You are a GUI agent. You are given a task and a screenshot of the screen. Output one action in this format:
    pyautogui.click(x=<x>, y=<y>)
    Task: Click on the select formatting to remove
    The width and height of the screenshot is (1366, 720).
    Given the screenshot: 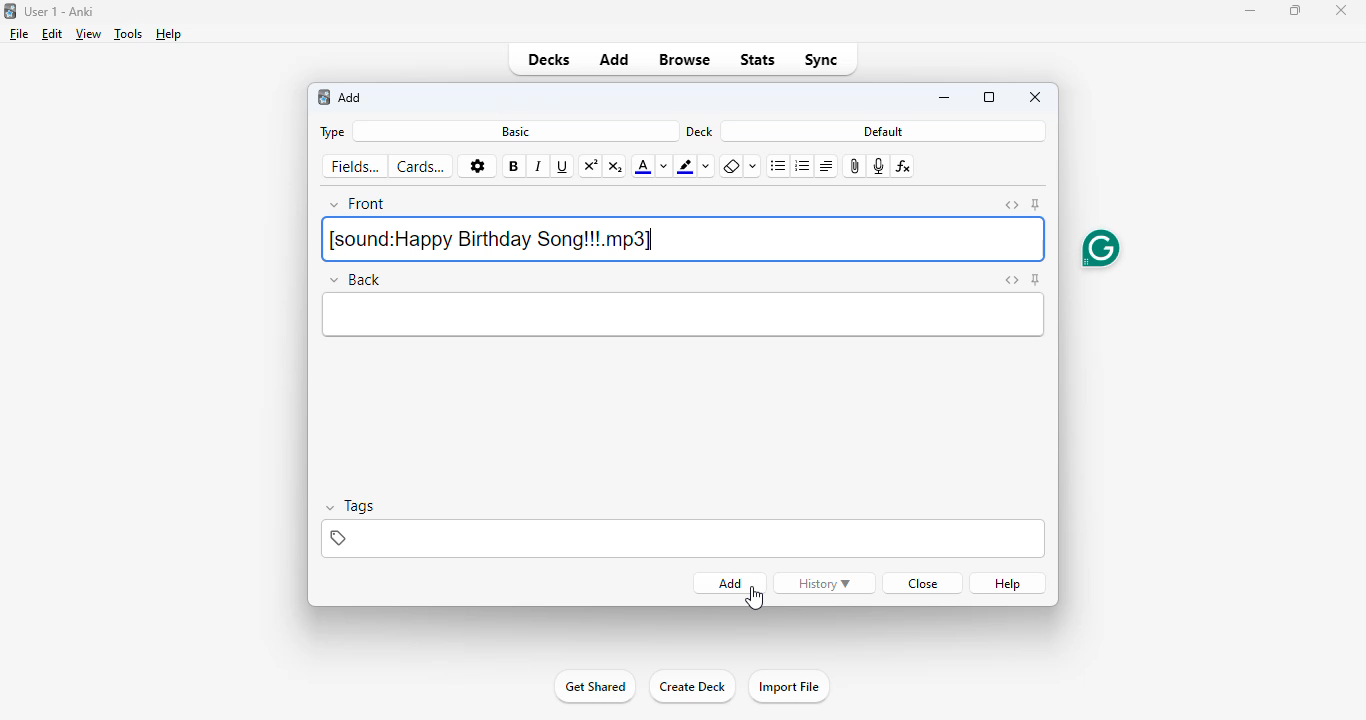 What is the action you would take?
    pyautogui.click(x=753, y=167)
    